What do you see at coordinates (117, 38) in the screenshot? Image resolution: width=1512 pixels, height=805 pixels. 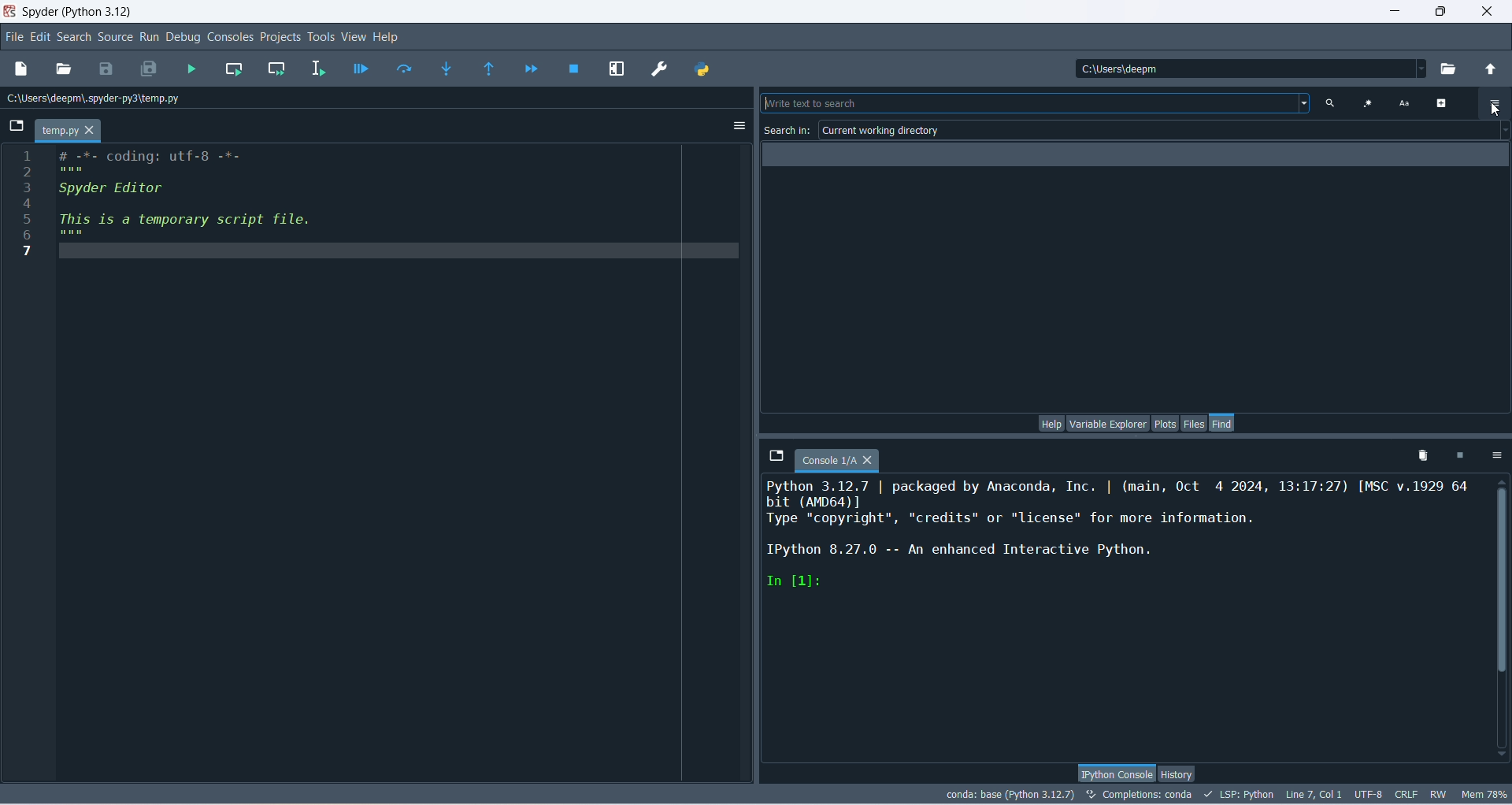 I see `source` at bounding box center [117, 38].